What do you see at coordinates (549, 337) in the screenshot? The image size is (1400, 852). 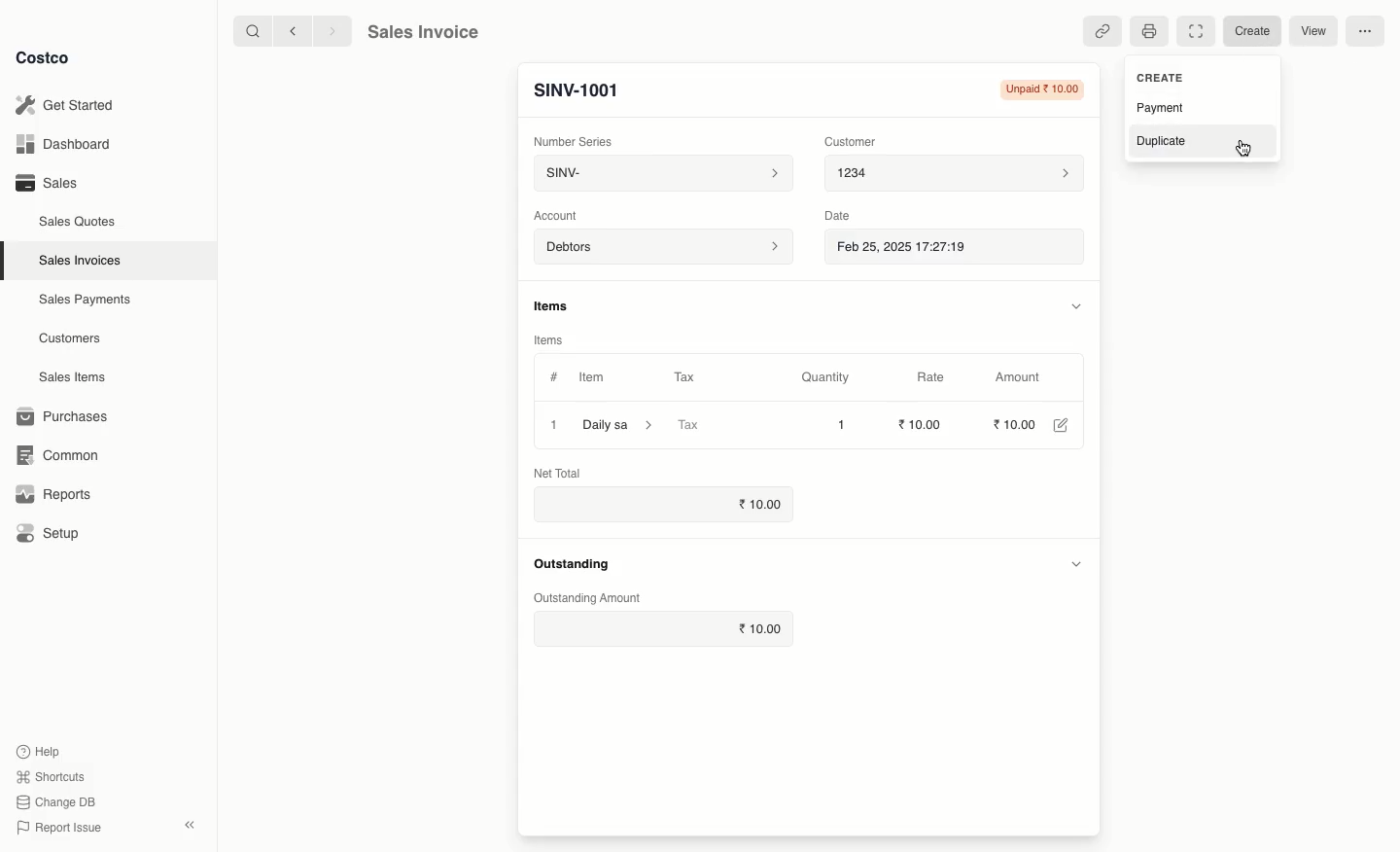 I see `Items` at bounding box center [549, 337].